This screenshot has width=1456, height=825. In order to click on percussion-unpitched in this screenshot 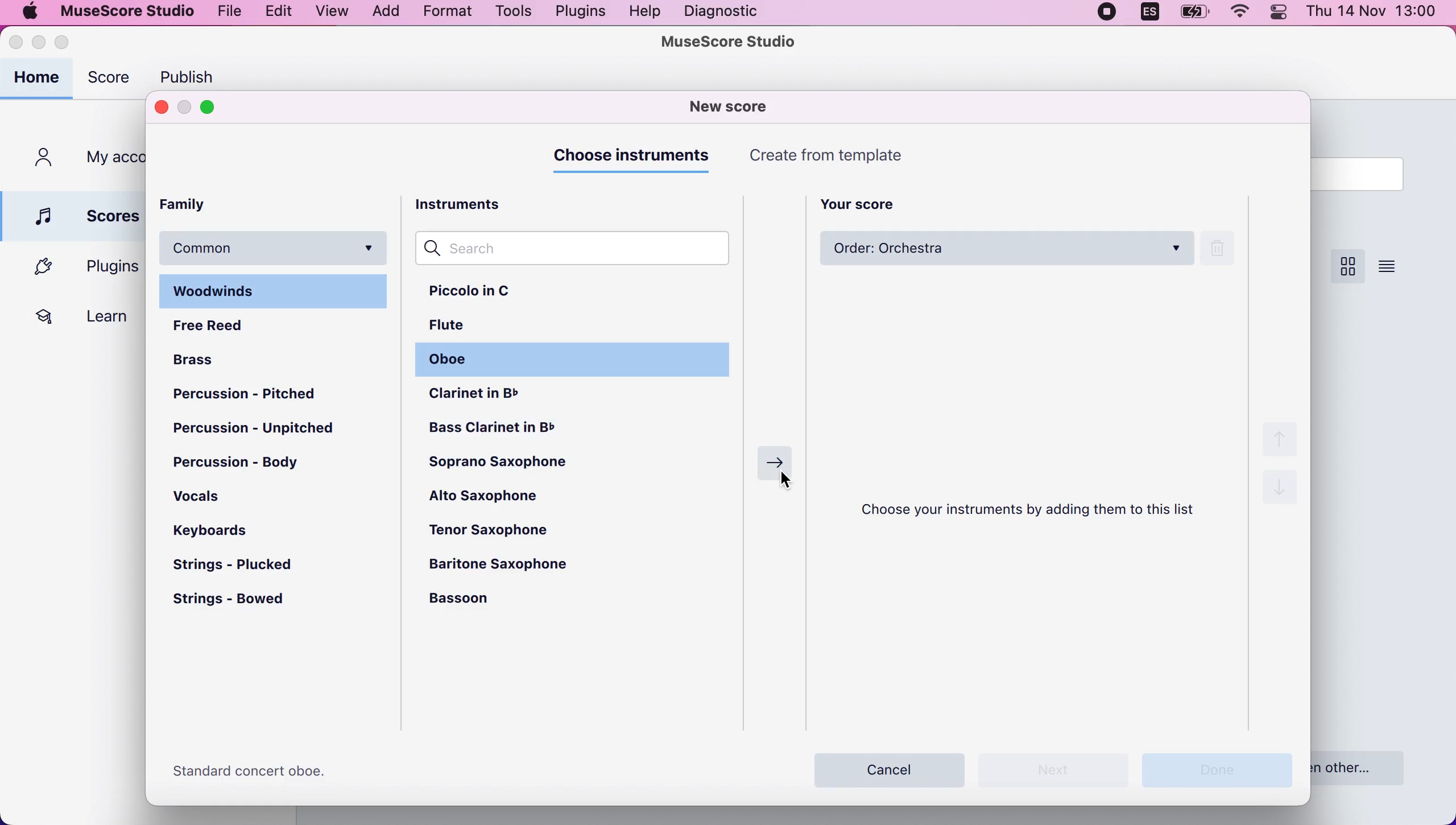, I will do `click(262, 431)`.